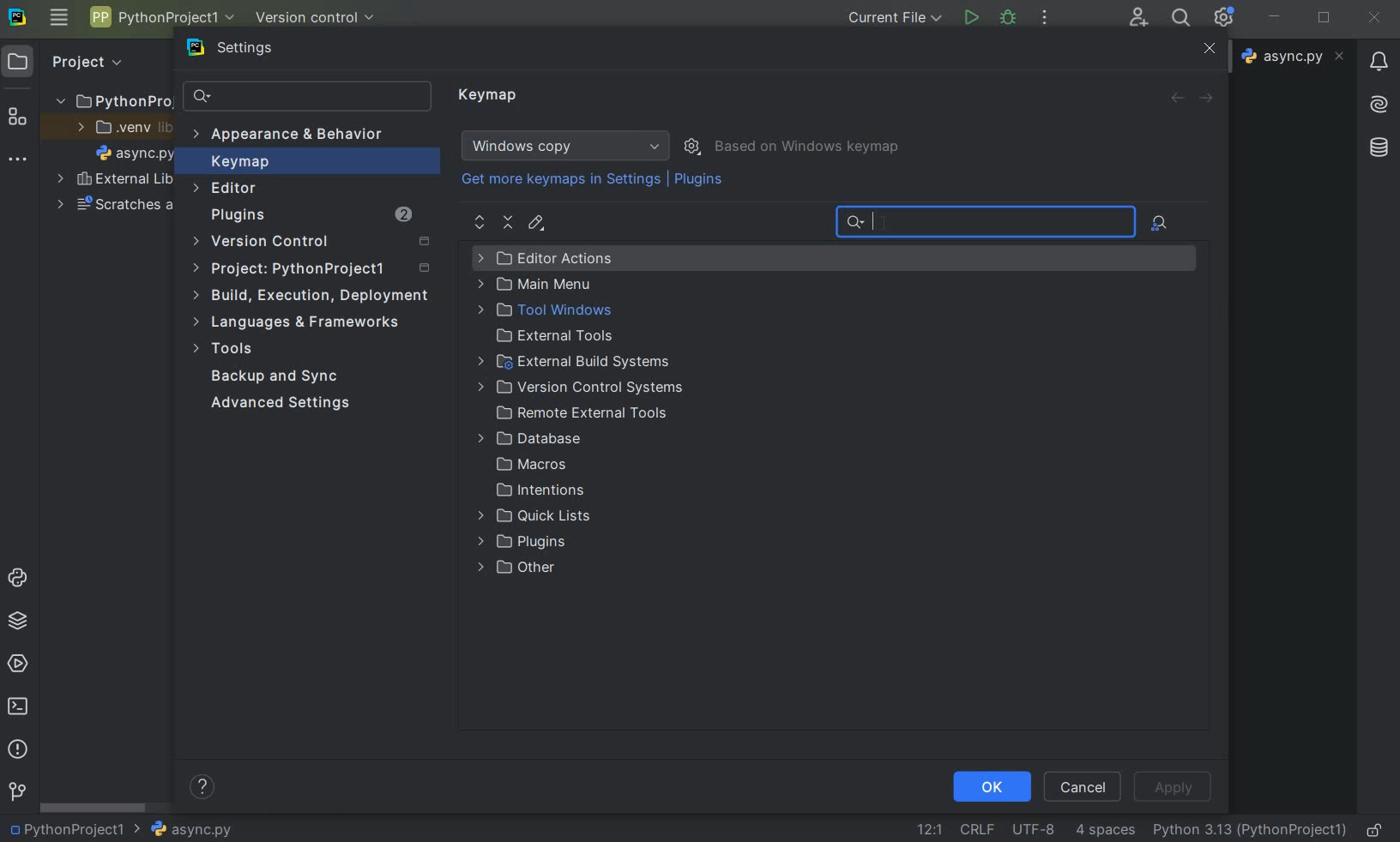 The image size is (1400, 842). What do you see at coordinates (1251, 829) in the screenshot?
I see `current interpreter` at bounding box center [1251, 829].